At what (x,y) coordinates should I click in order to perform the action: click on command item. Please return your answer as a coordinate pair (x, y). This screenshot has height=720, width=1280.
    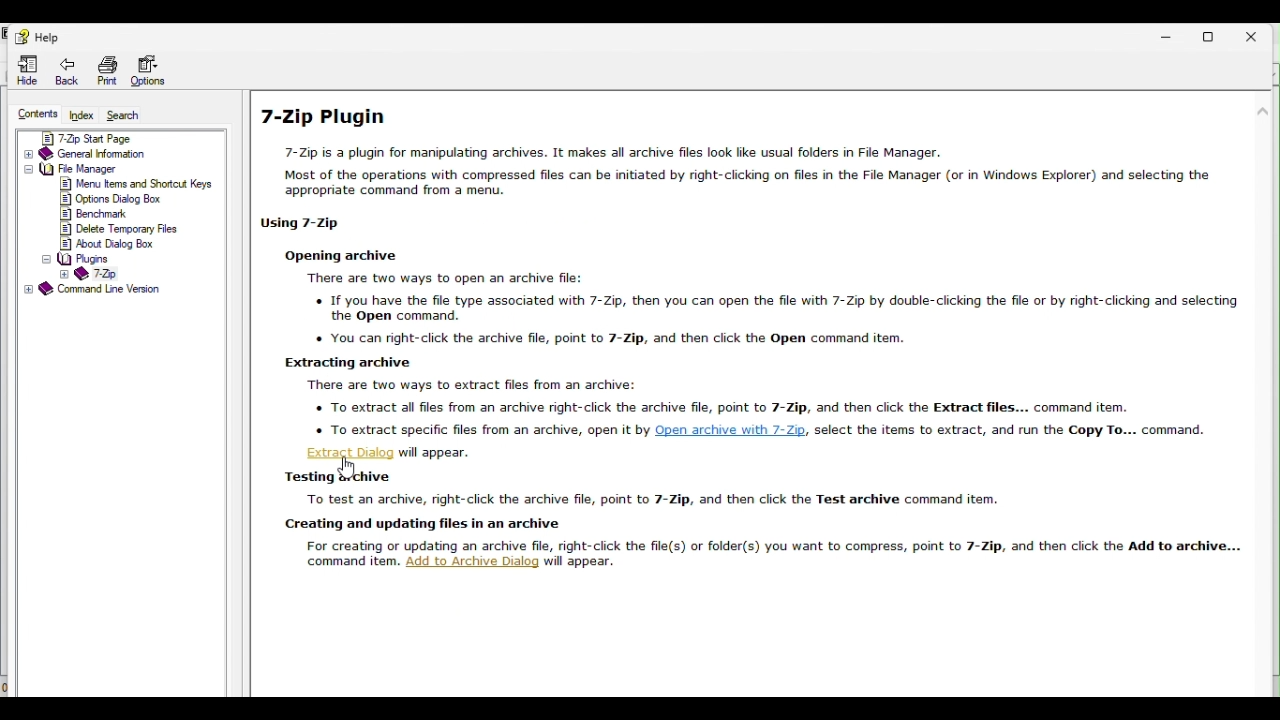
    Looking at the image, I should click on (352, 562).